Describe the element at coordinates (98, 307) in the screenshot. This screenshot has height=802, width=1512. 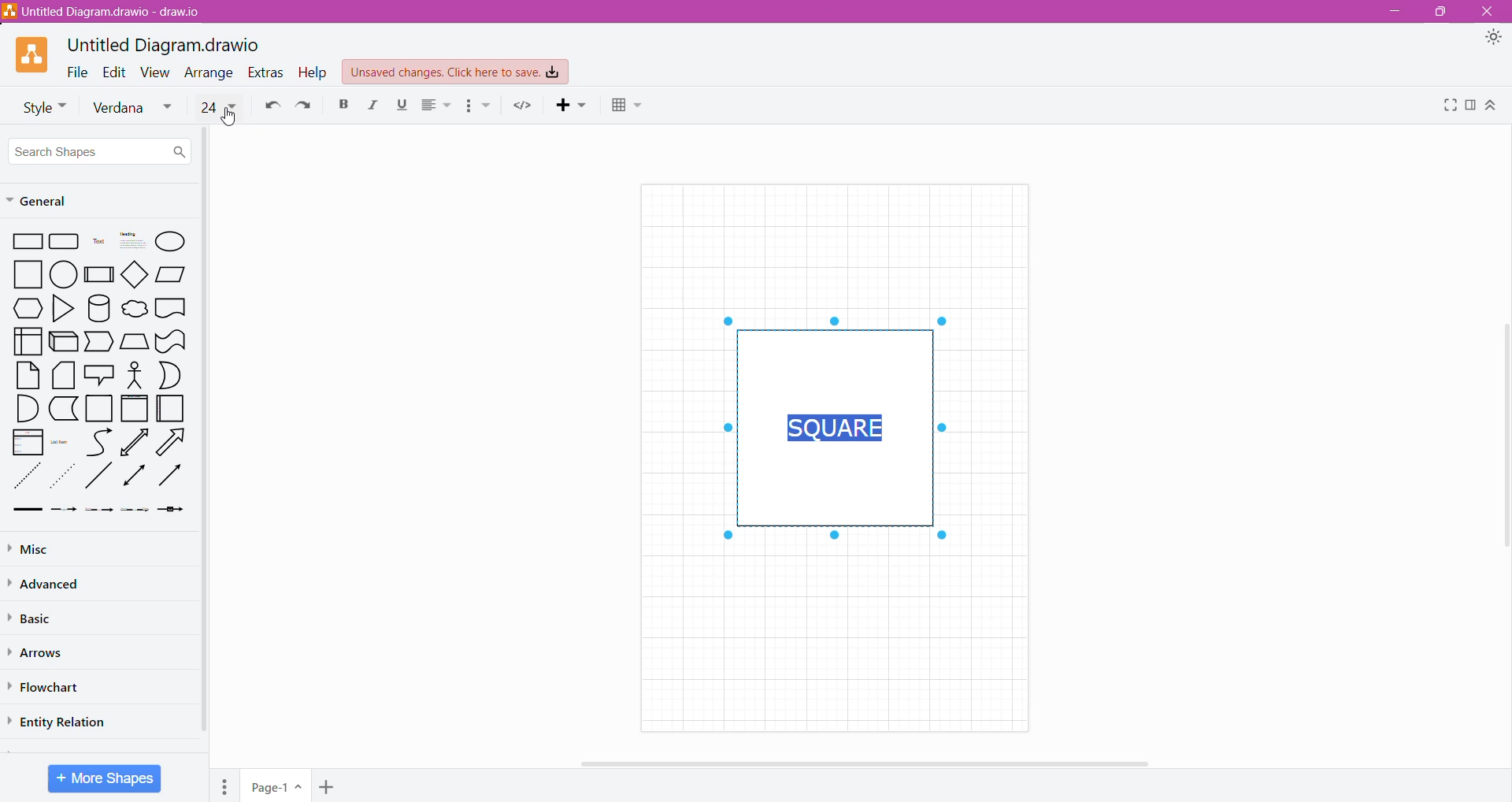
I see `Cylinder ` at that location.